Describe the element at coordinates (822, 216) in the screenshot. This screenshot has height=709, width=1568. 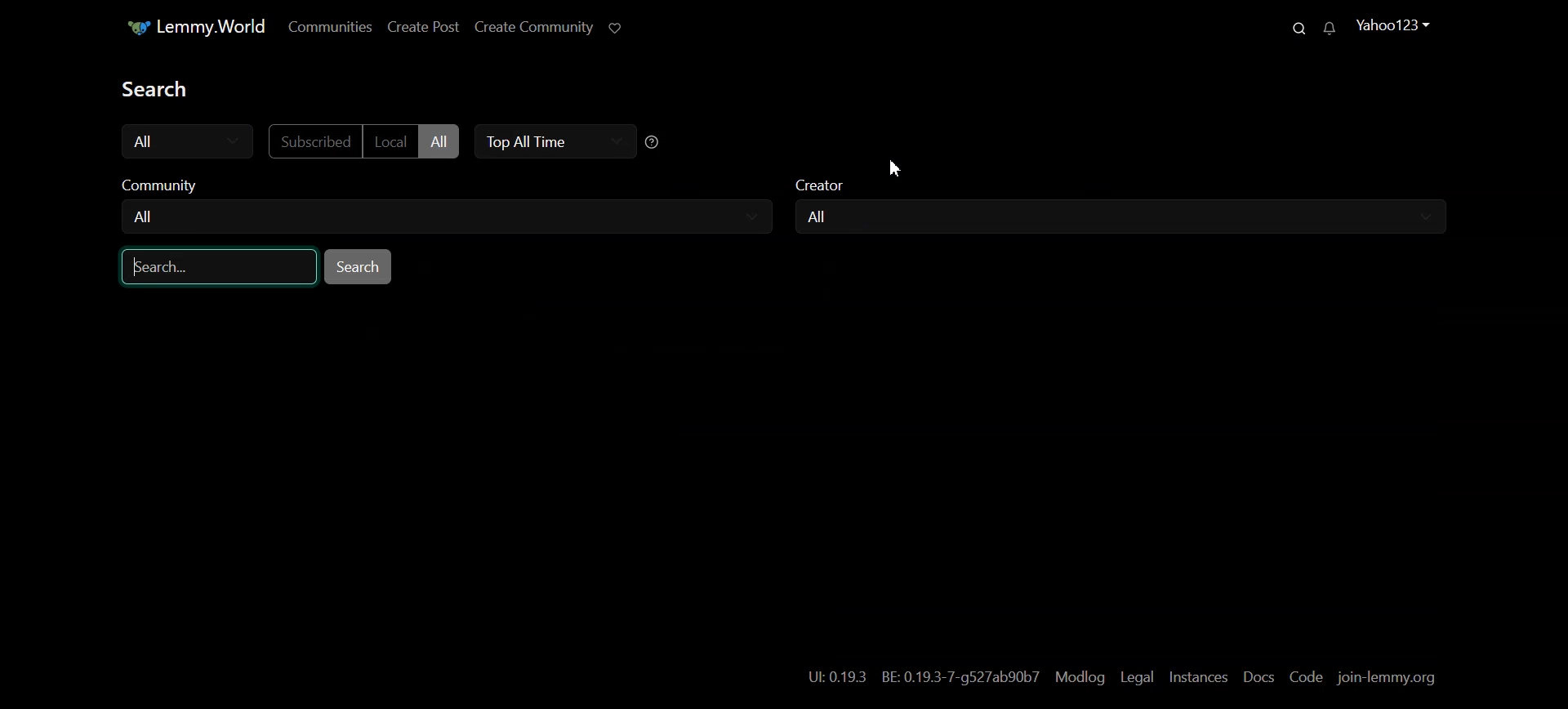
I see `All` at that location.